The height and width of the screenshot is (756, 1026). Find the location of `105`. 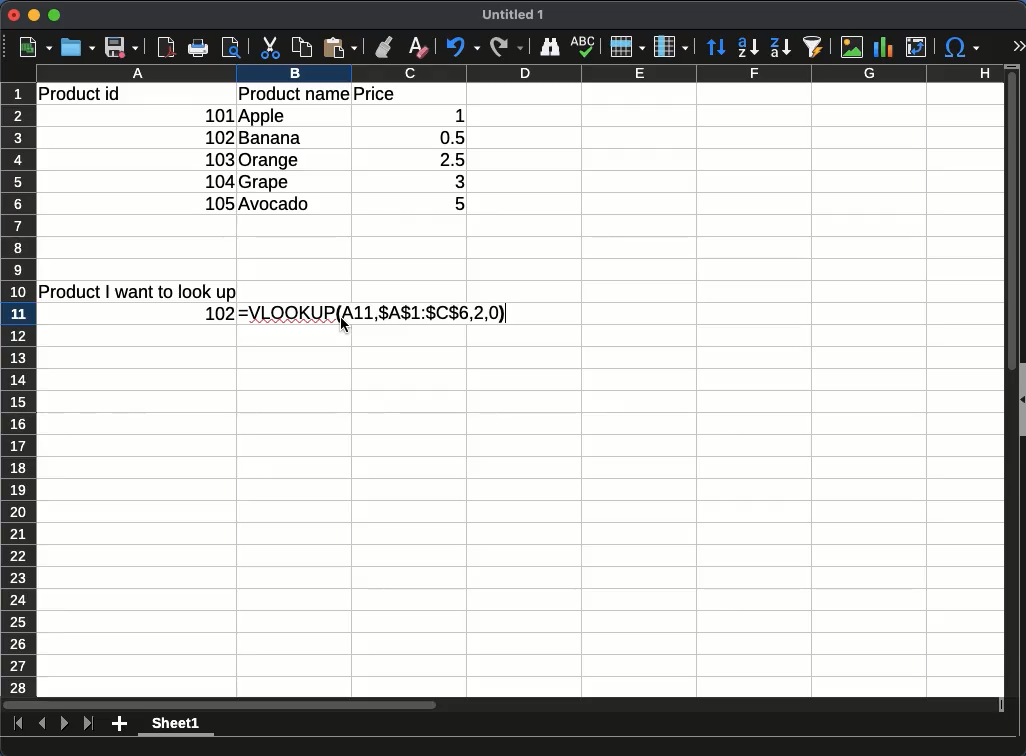

105 is located at coordinates (219, 203).